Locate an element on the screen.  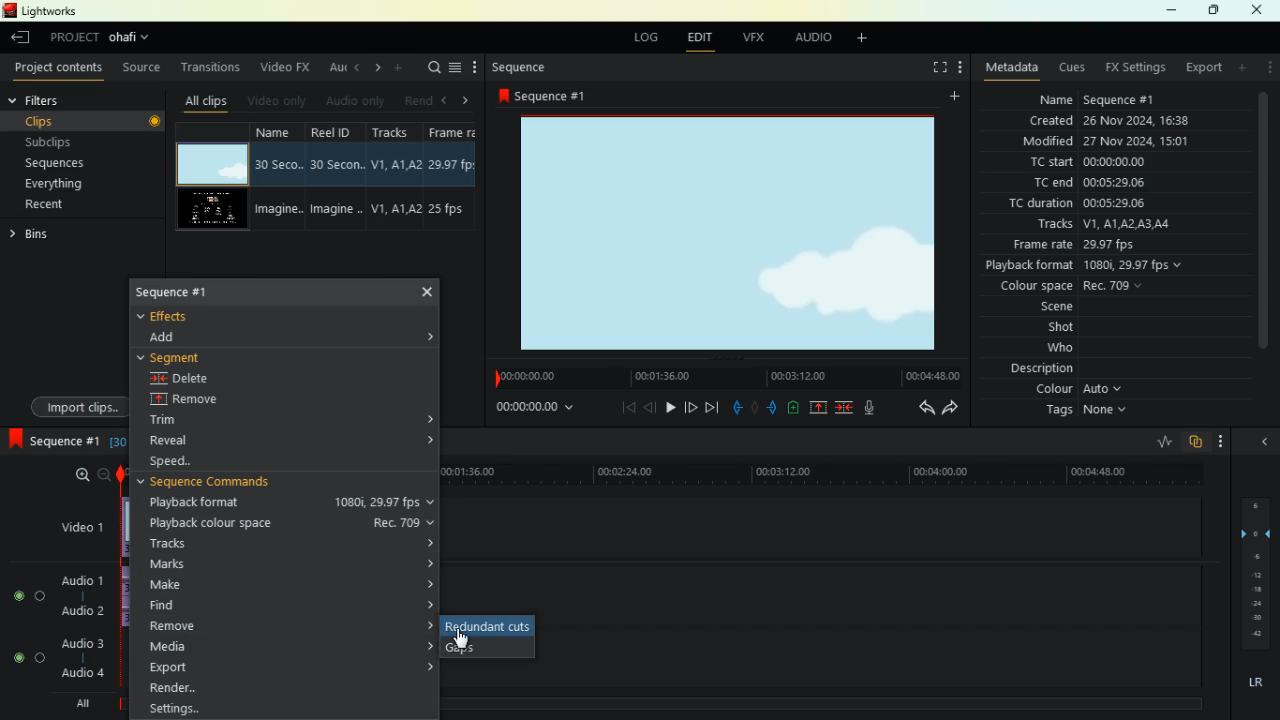
who is located at coordinates (1066, 349).